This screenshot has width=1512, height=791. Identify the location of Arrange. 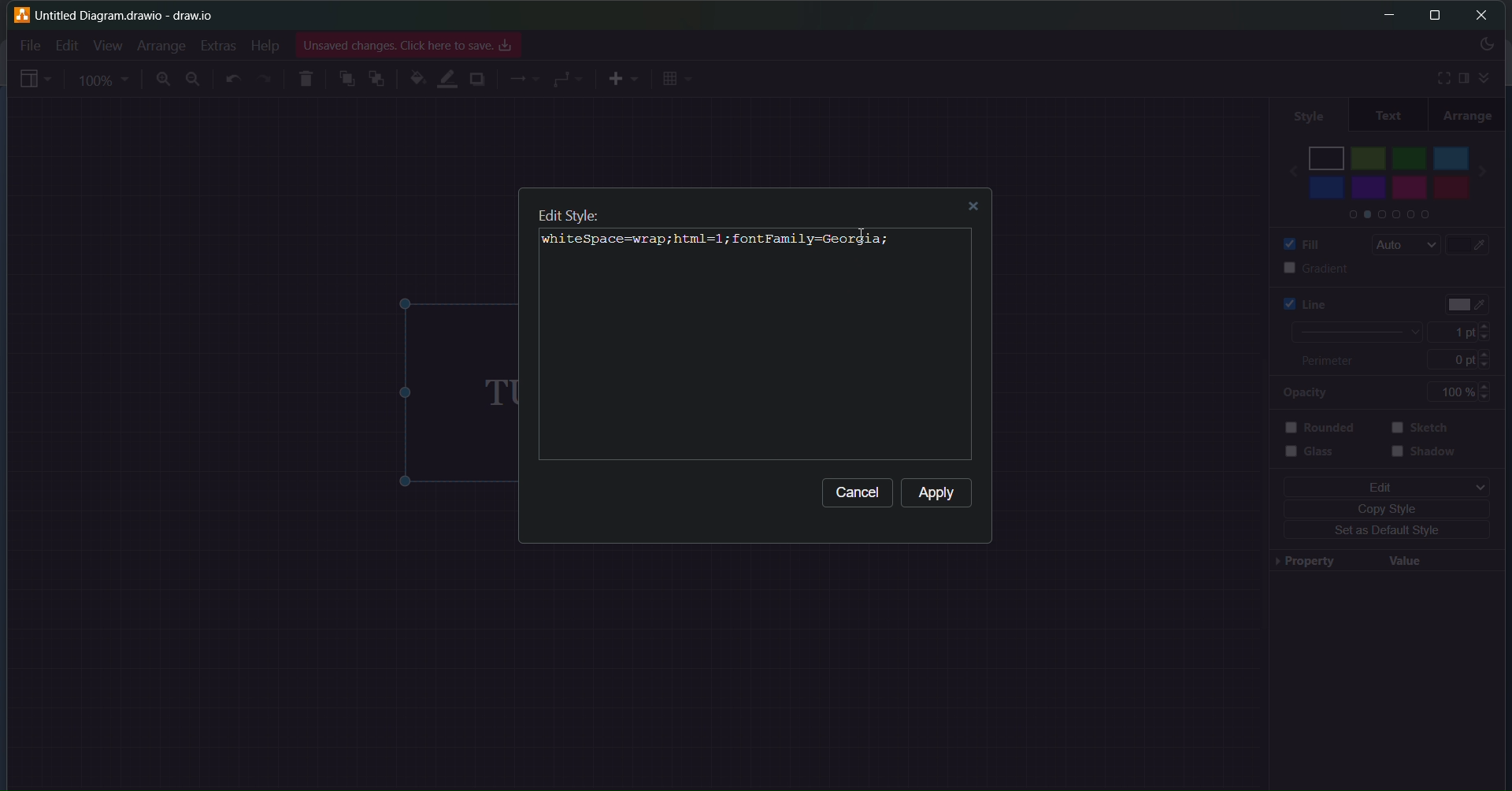
(161, 45).